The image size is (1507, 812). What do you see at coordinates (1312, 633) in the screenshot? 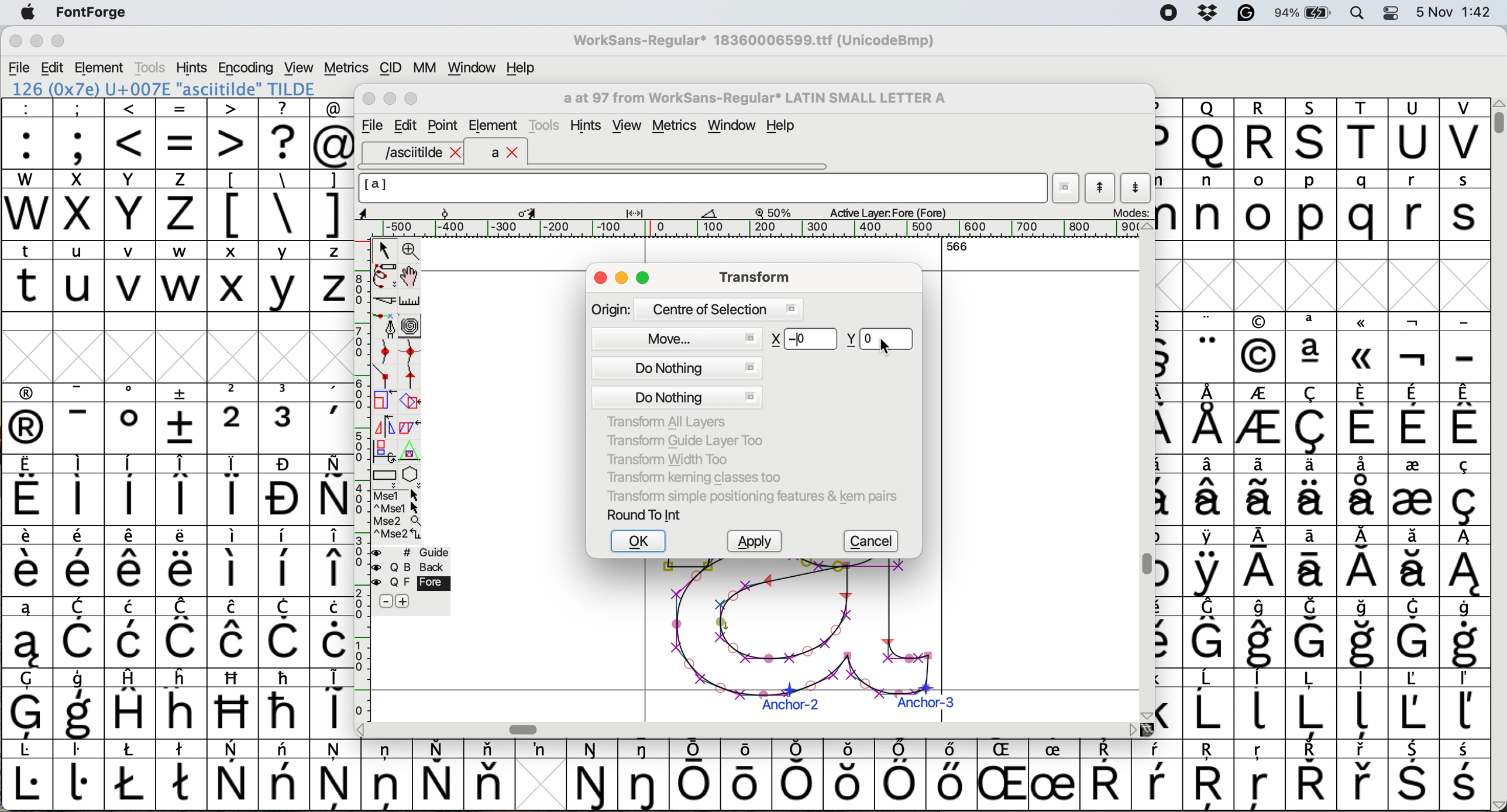
I see `symbol` at bounding box center [1312, 633].